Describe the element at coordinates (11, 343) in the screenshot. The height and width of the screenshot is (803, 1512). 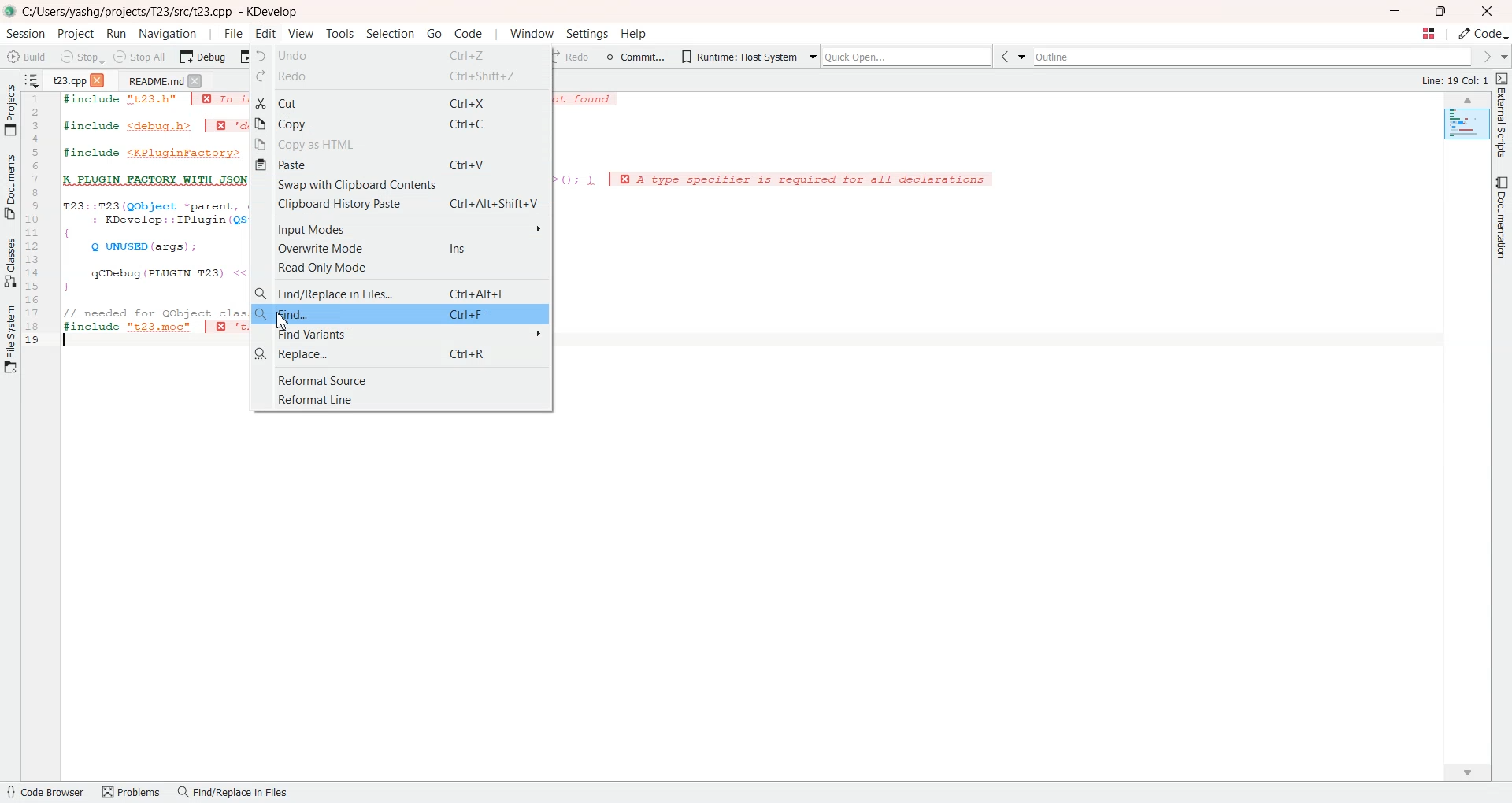
I see `File system` at that location.